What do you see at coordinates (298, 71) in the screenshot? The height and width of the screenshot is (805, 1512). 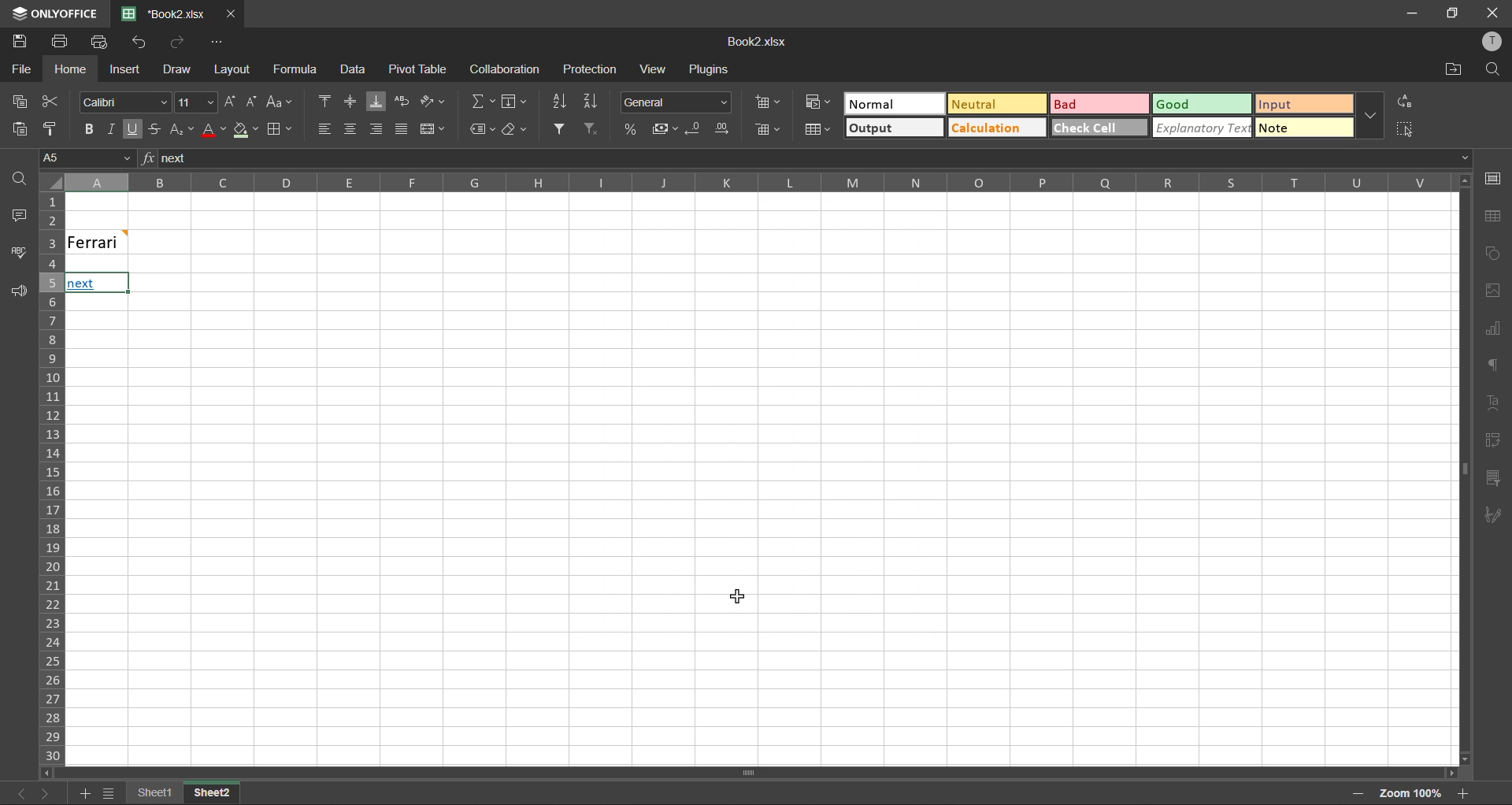 I see `formula` at bounding box center [298, 71].